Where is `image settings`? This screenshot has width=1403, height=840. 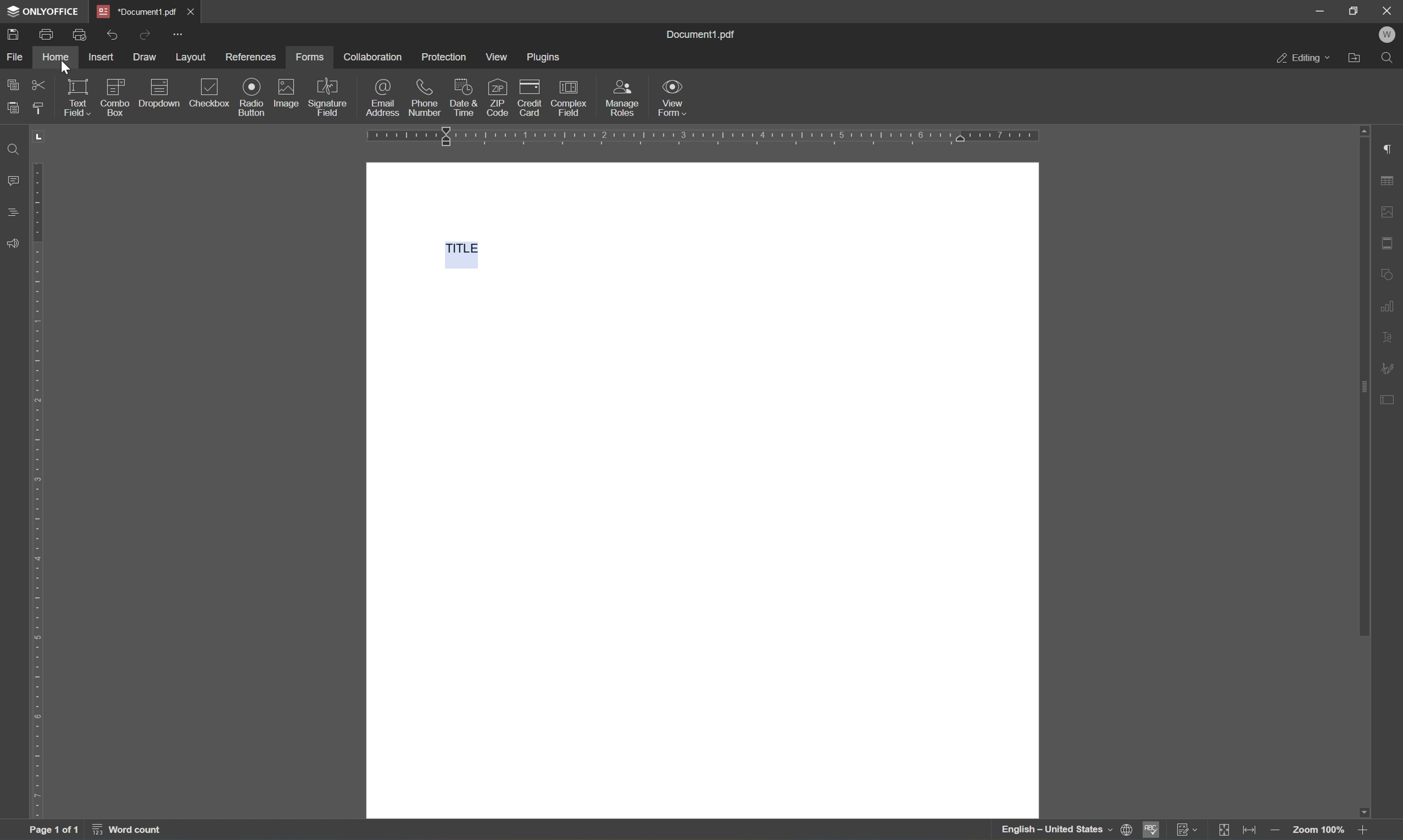
image settings is located at coordinates (1391, 212).